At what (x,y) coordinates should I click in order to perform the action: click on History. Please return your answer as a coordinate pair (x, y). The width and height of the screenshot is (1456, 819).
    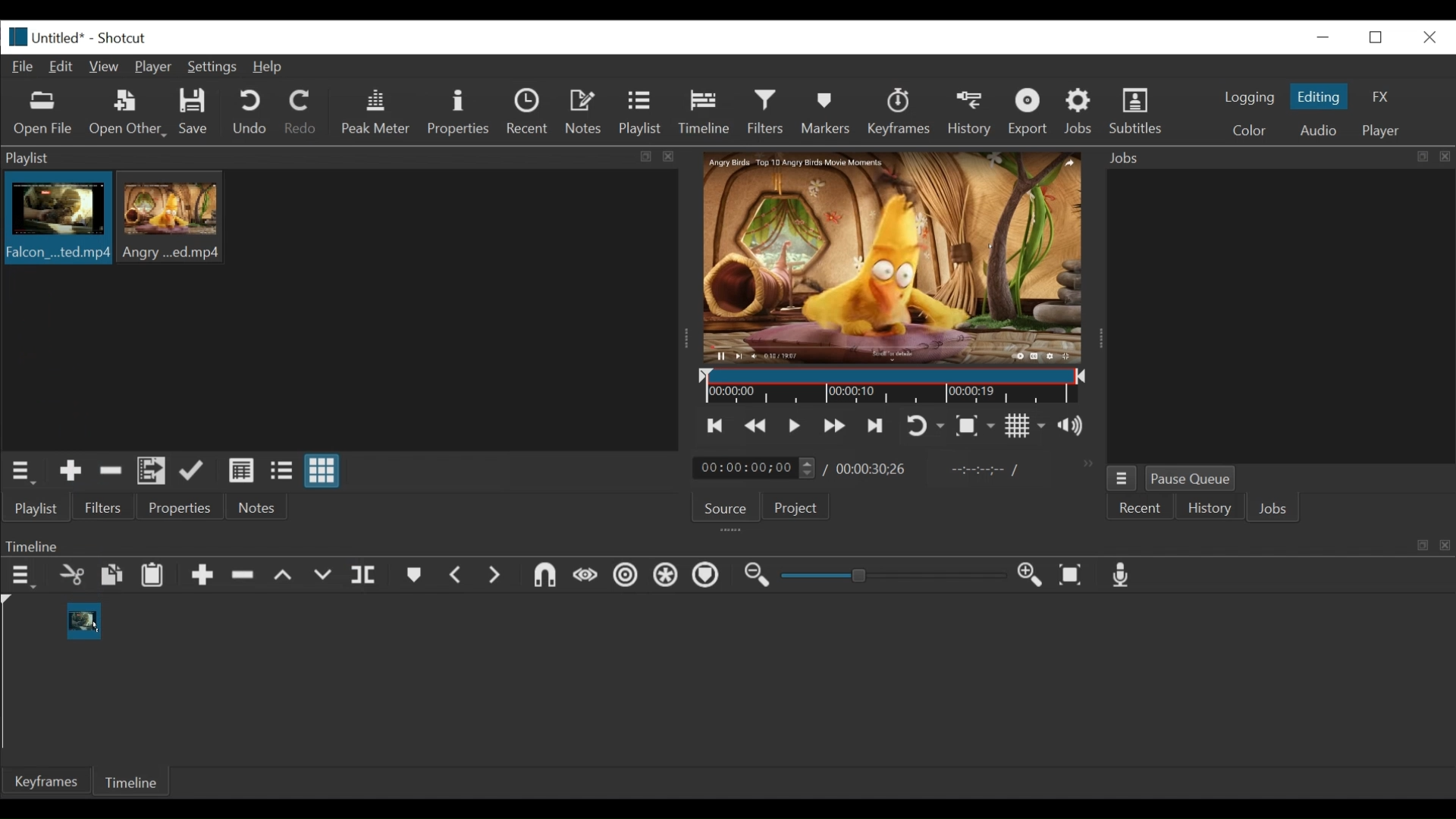
    Looking at the image, I should click on (1210, 510).